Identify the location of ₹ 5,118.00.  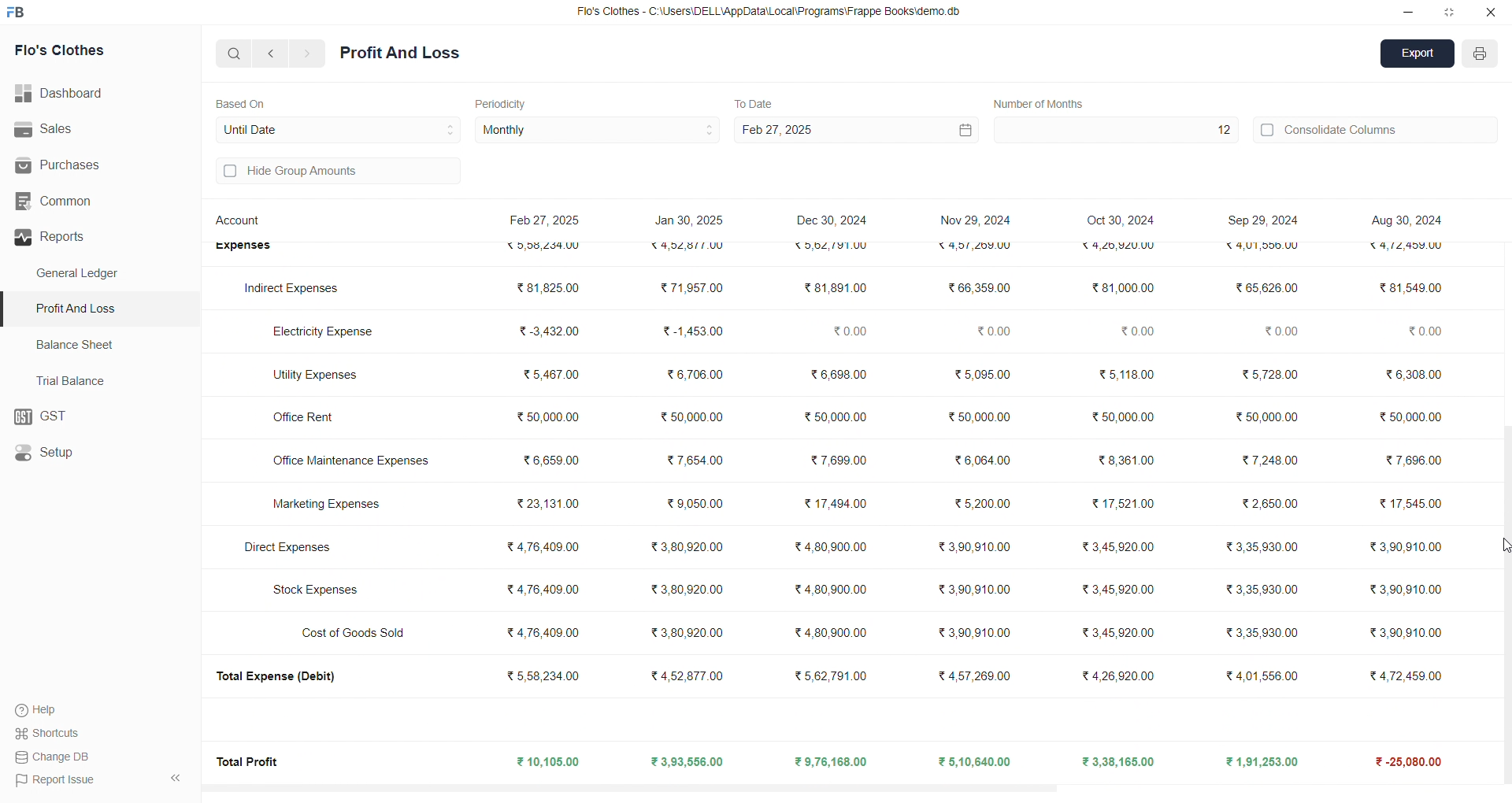
(1121, 373).